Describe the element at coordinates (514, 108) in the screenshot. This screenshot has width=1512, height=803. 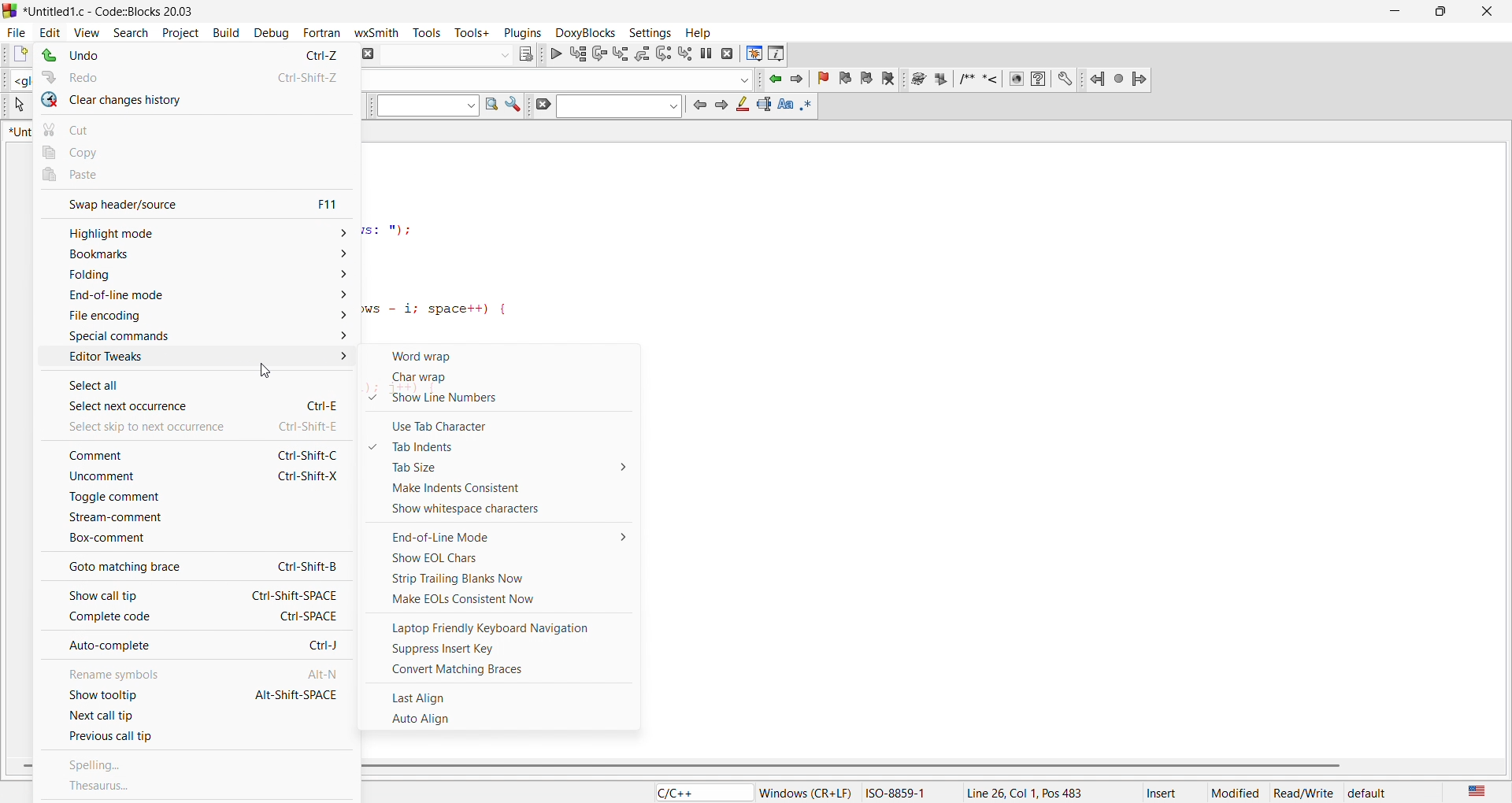
I see `icon` at that location.